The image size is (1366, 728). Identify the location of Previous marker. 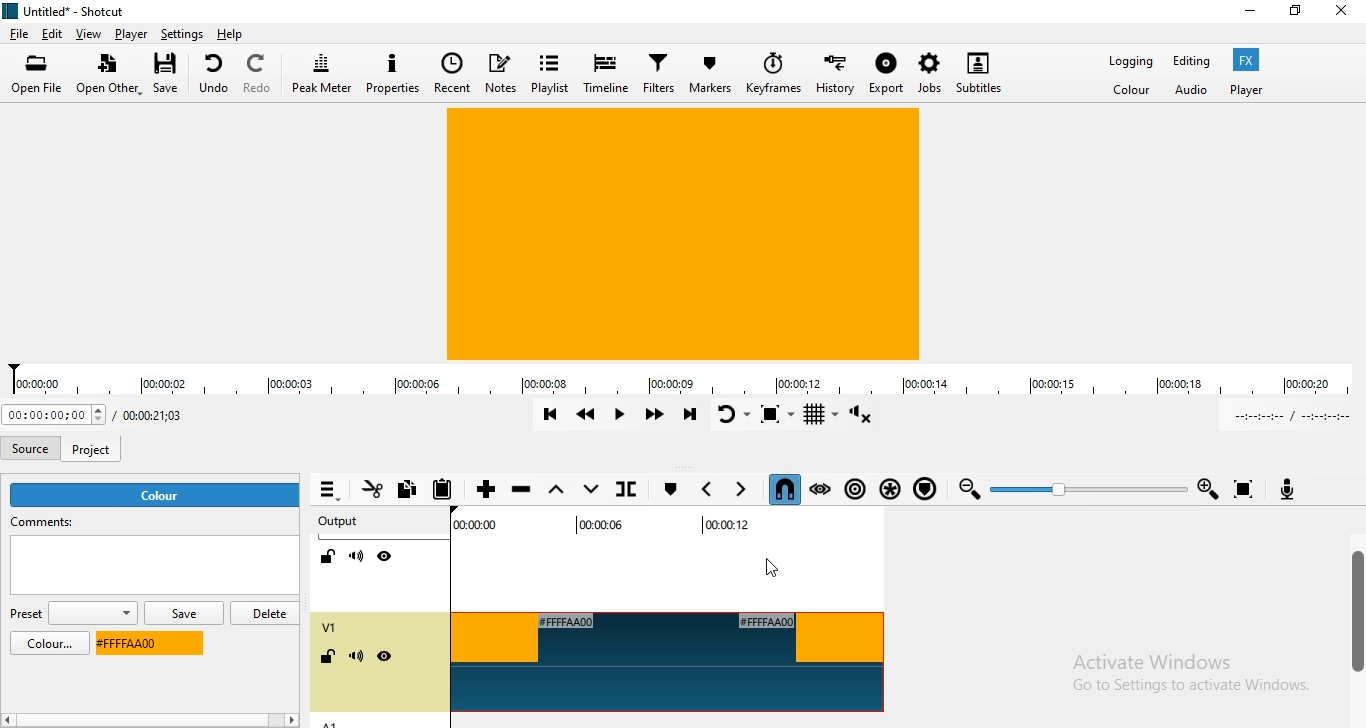
(709, 489).